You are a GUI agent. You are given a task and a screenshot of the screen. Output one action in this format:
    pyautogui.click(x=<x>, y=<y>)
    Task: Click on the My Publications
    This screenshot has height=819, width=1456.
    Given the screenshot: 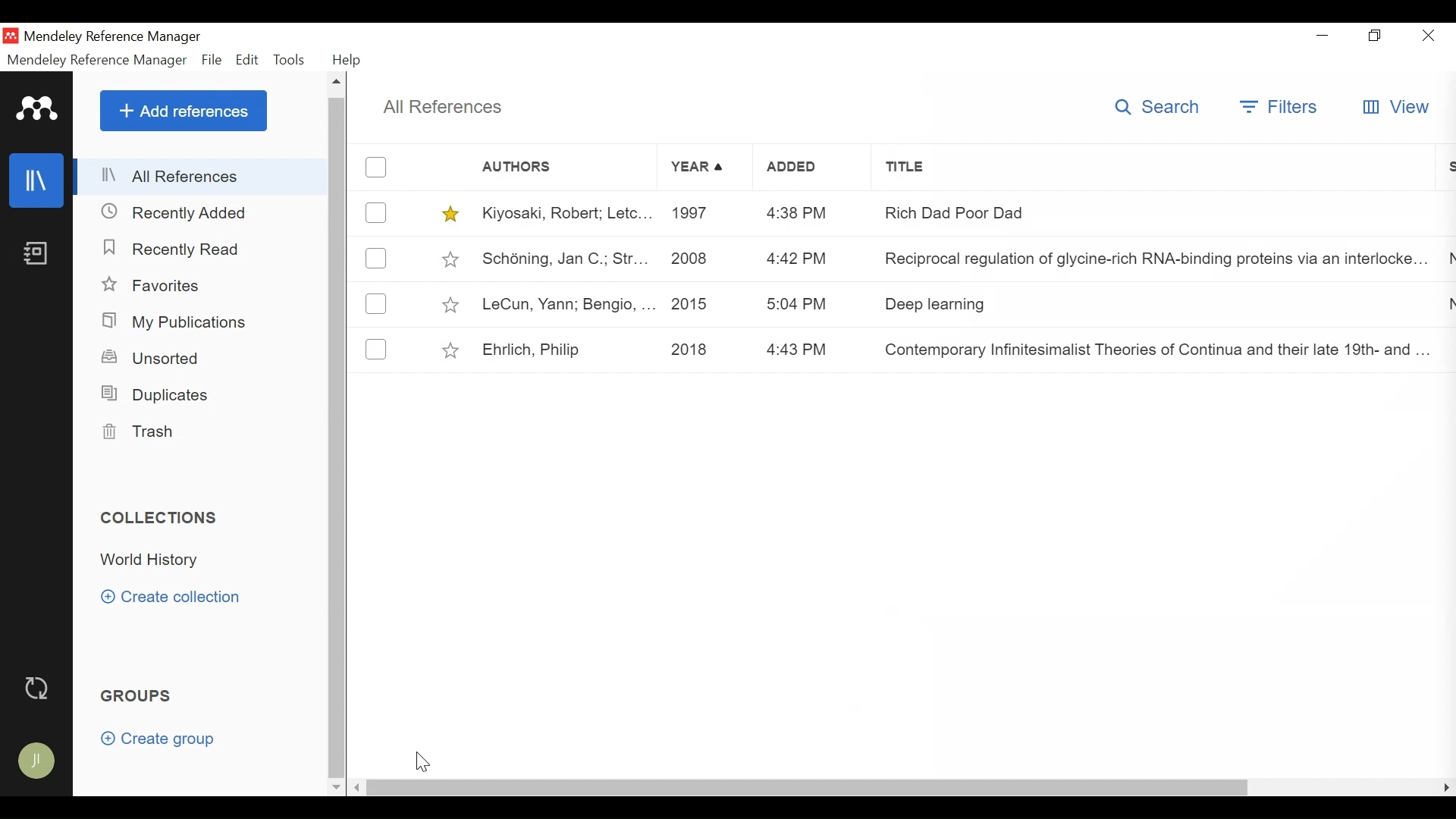 What is the action you would take?
    pyautogui.click(x=177, y=321)
    